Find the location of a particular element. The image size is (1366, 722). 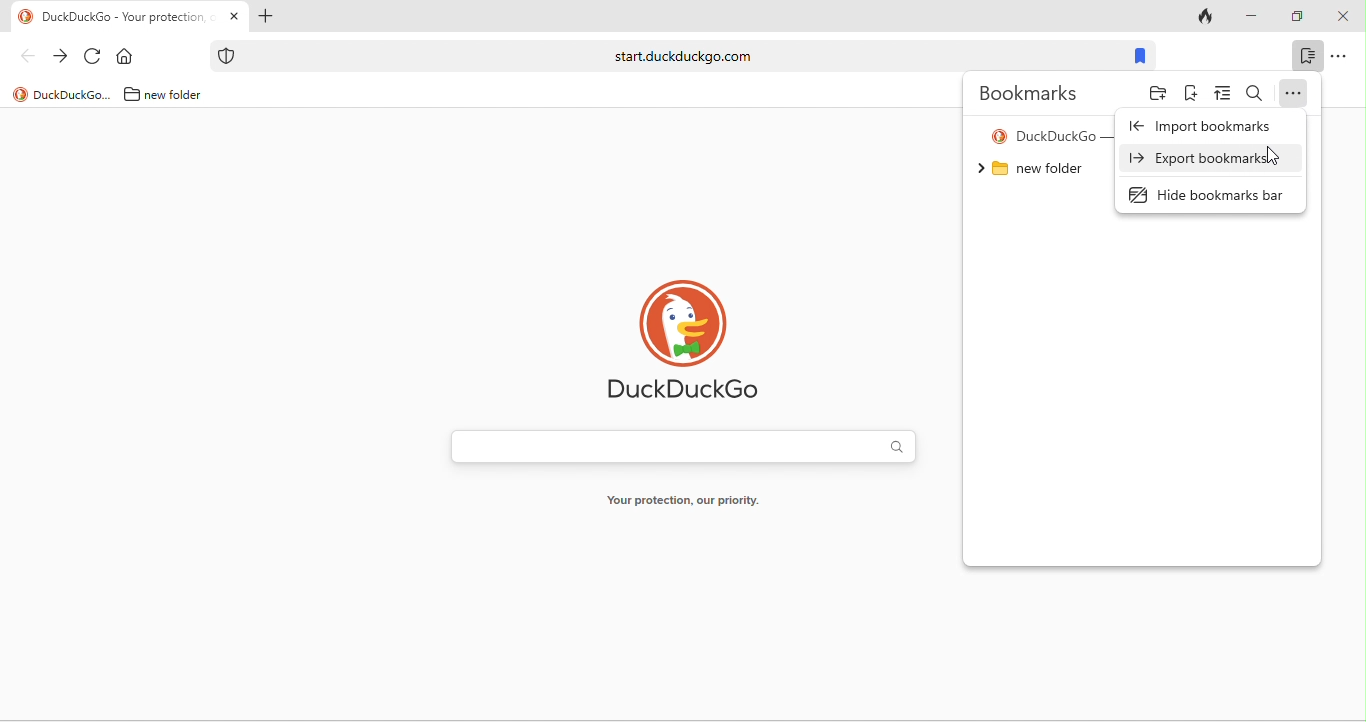

track tab is located at coordinates (1205, 18).